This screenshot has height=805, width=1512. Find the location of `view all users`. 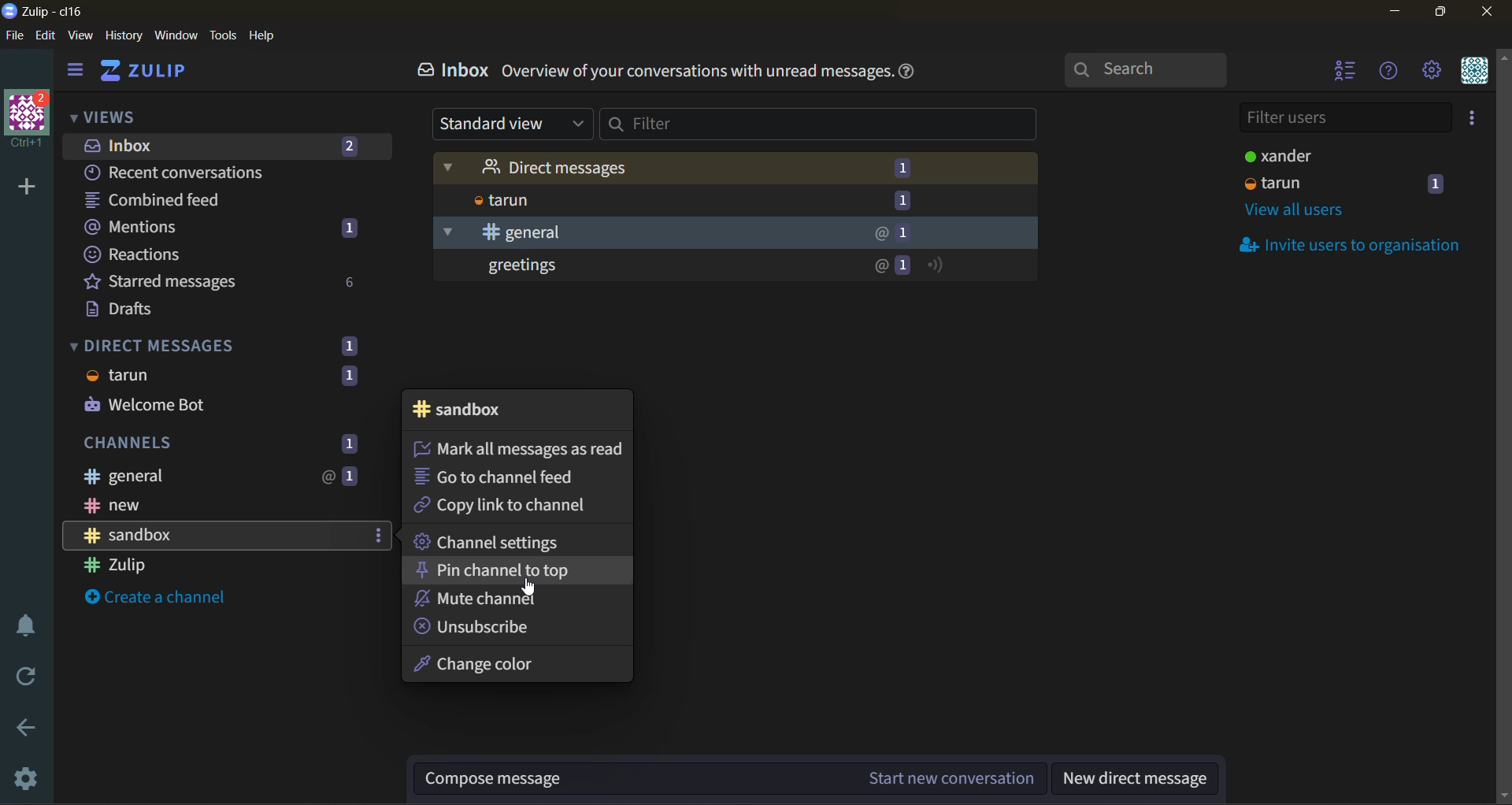

view all users is located at coordinates (1295, 213).